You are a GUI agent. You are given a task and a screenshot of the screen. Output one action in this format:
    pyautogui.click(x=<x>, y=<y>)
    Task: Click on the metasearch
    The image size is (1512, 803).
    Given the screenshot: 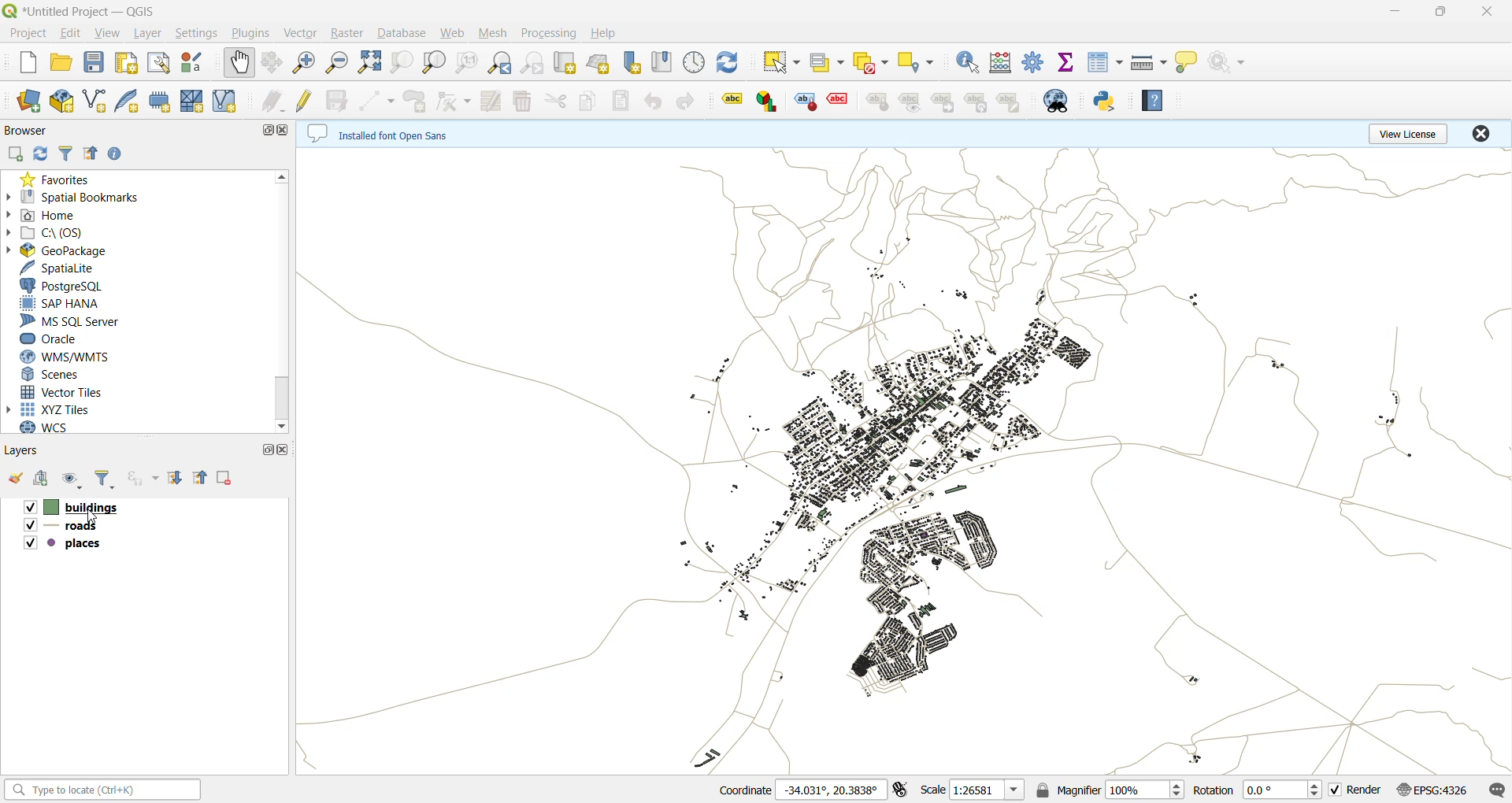 What is the action you would take?
    pyautogui.click(x=1054, y=101)
    